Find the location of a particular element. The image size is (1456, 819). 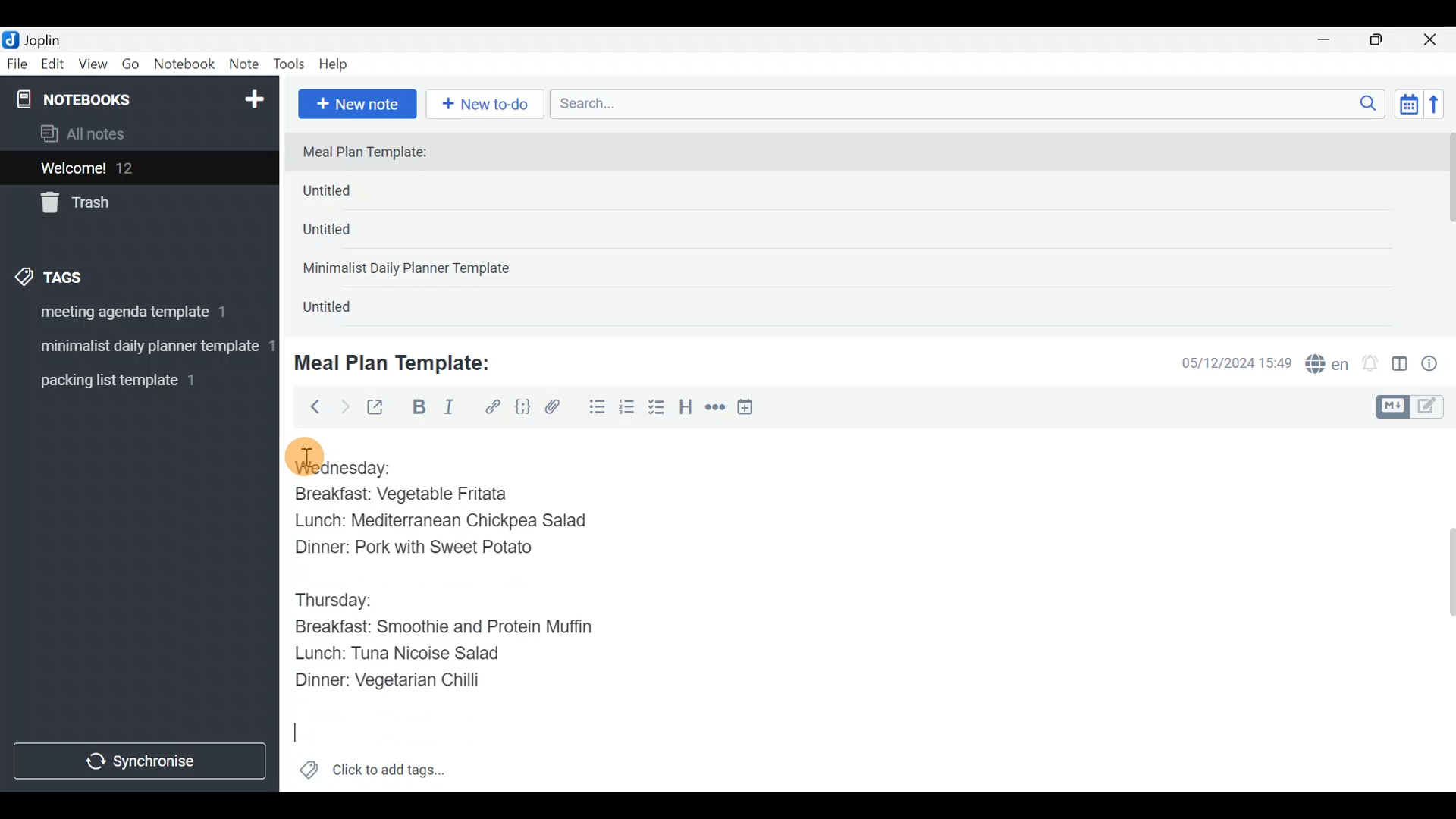

Click to add tags is located at coordinates (372, 775).